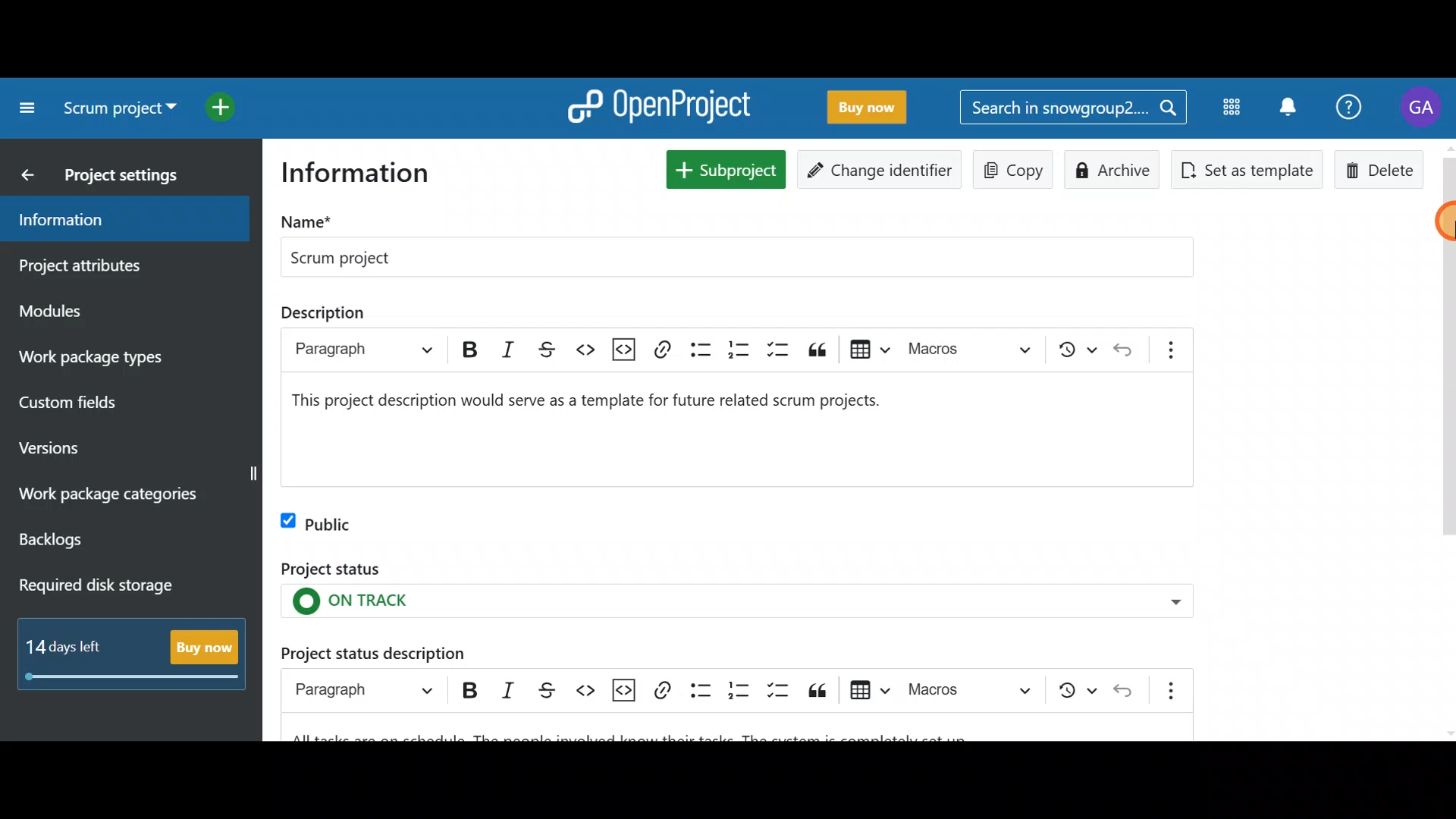 The image size is (1456, 819). I want to click on Heading, so click(363, 691).